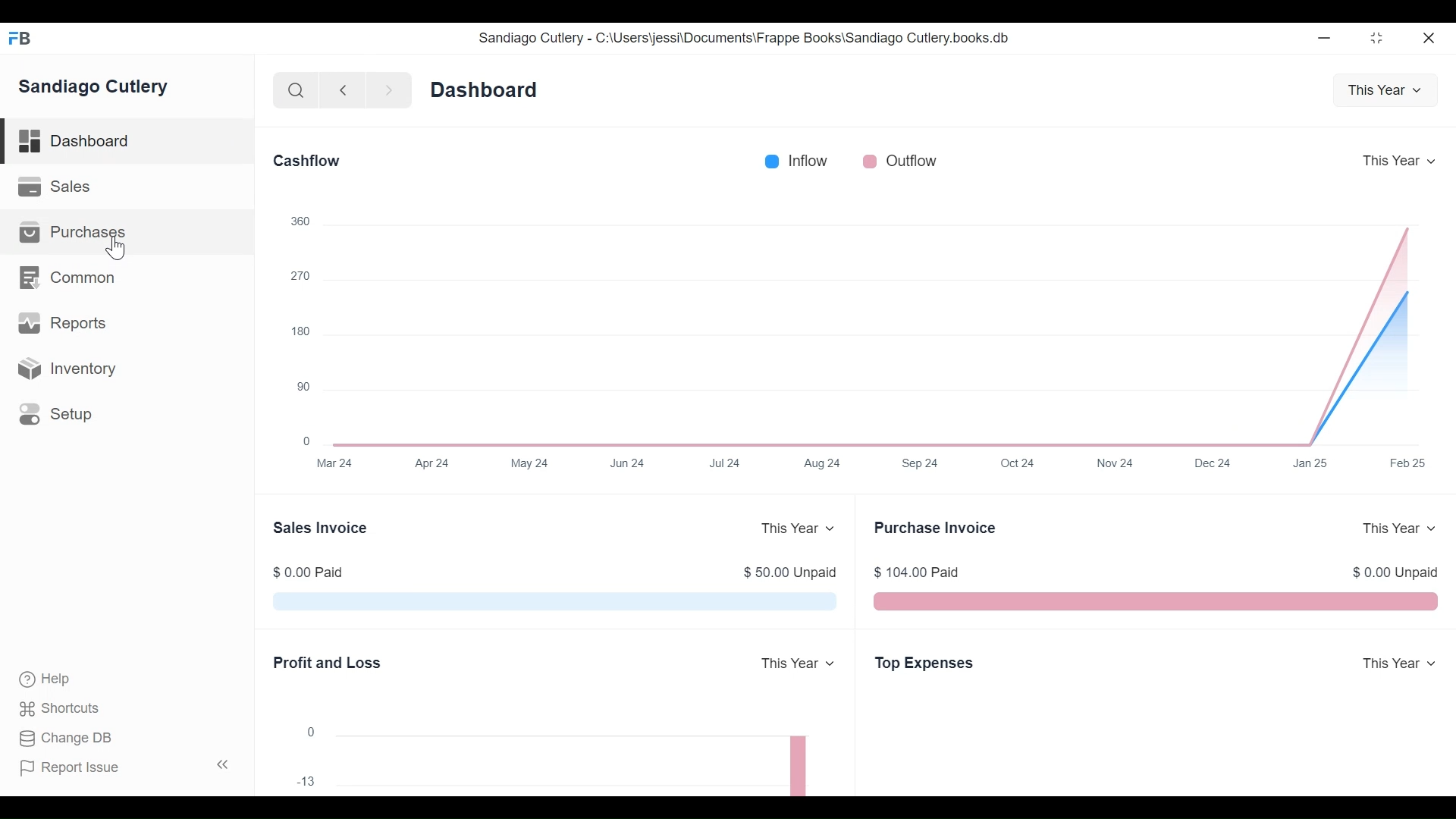 Image resolution: width=1456 pixels, height=819 pixels. Describe the element at coordinates (117, 249) in the screenshot. I see `Cursor` at that location.